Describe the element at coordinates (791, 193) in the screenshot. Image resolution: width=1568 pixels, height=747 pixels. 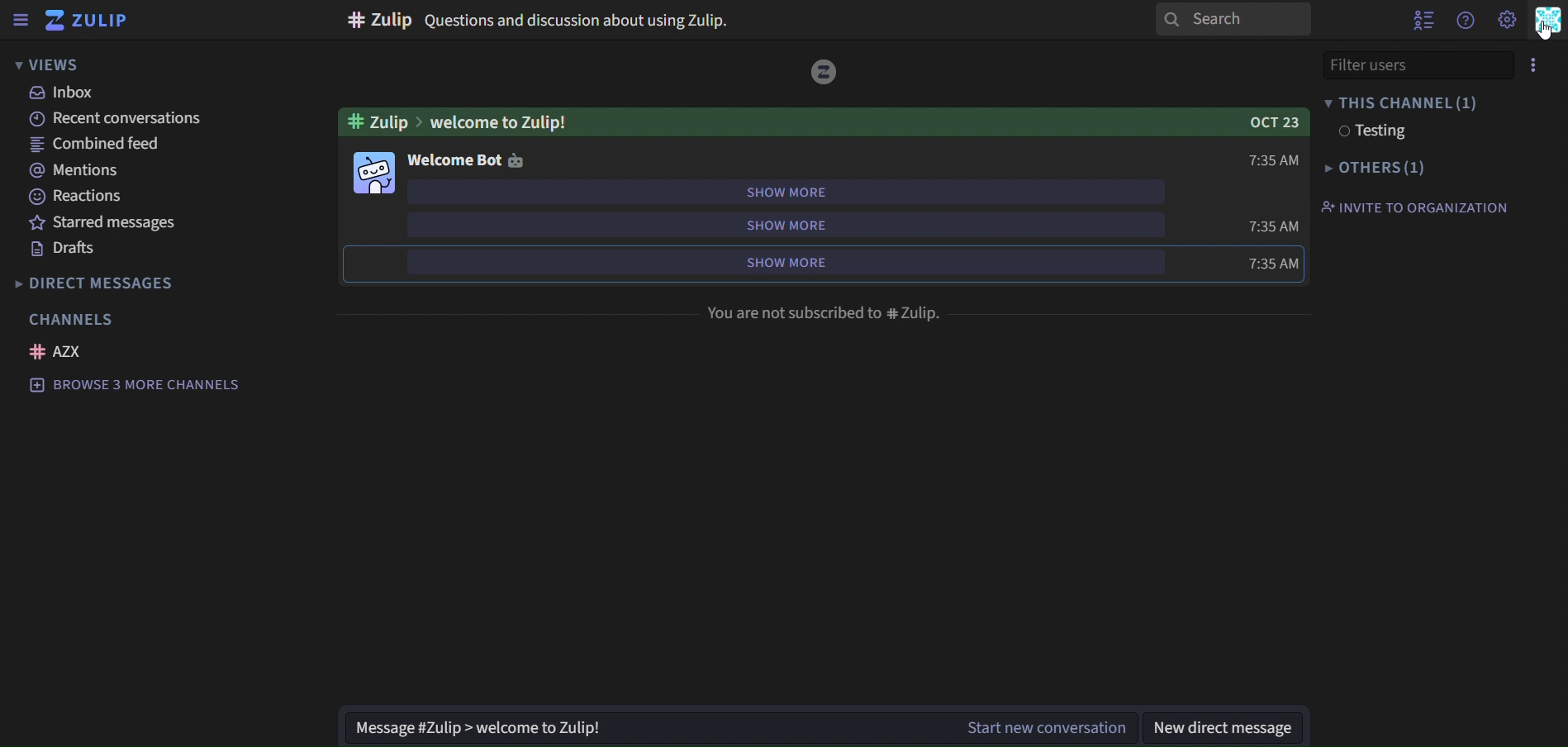
I see `show more` at that location.